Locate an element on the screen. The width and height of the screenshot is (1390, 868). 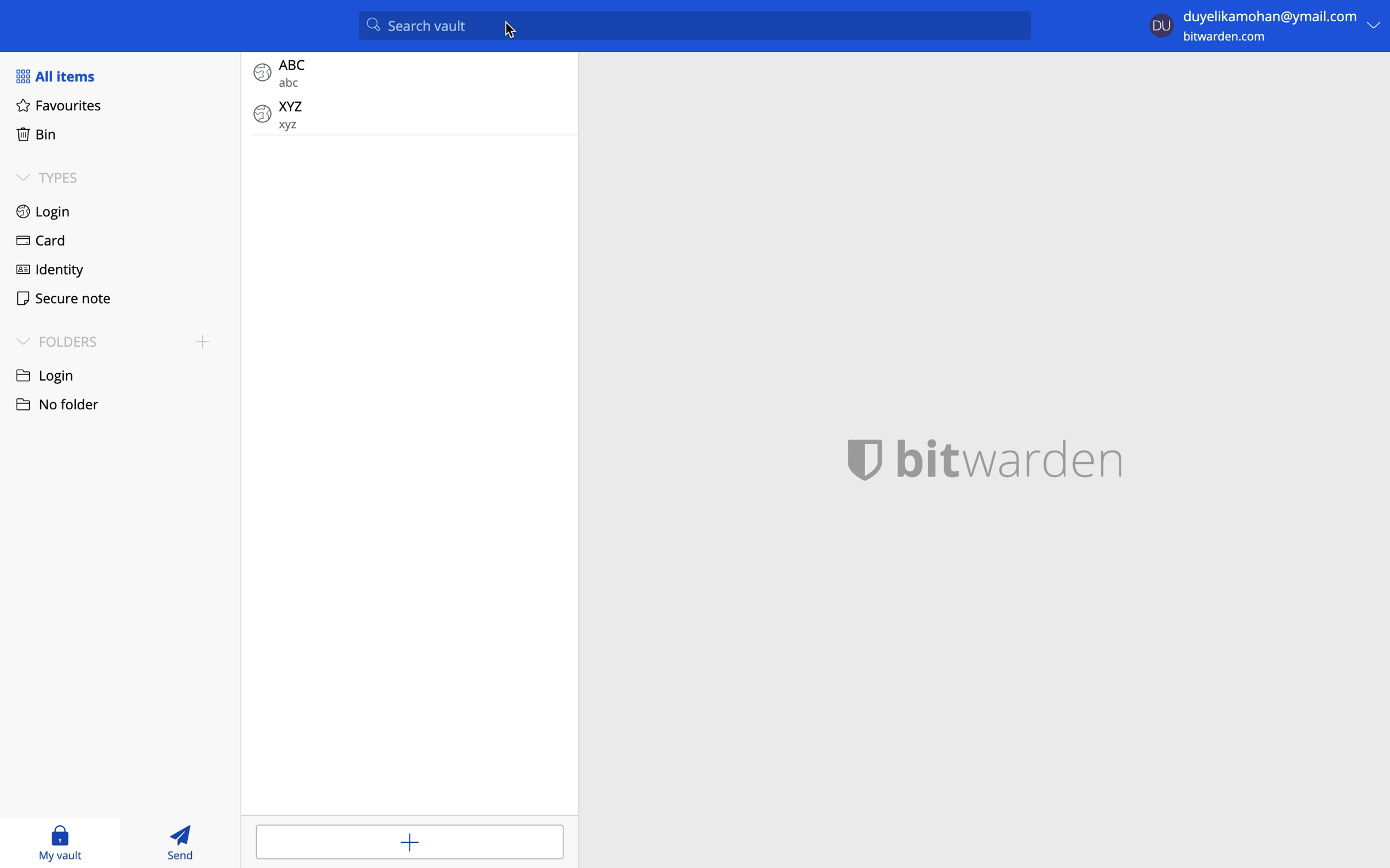
add folder is located at coordinates (202, 344).